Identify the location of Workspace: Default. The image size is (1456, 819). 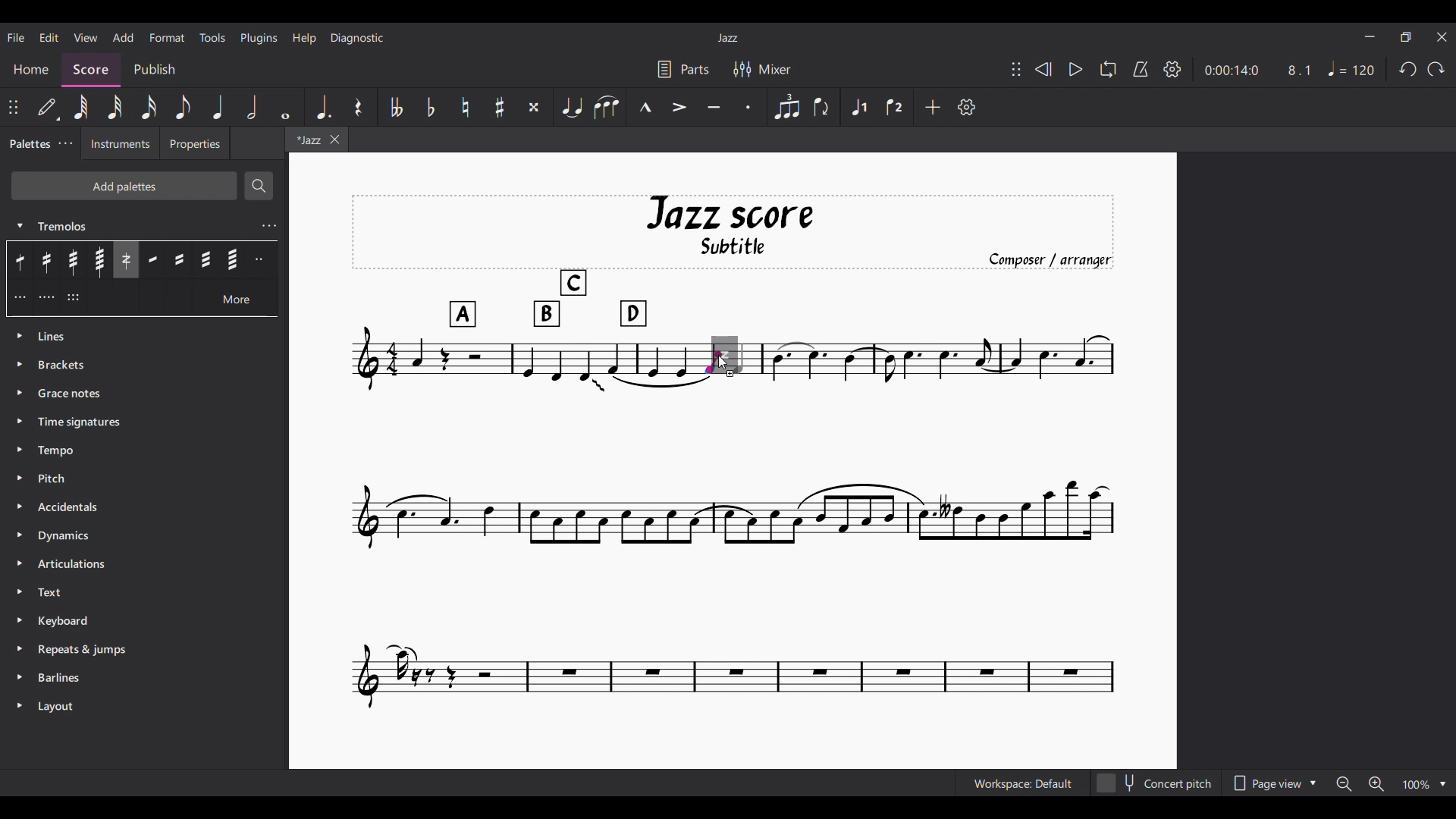
(1023, 783).